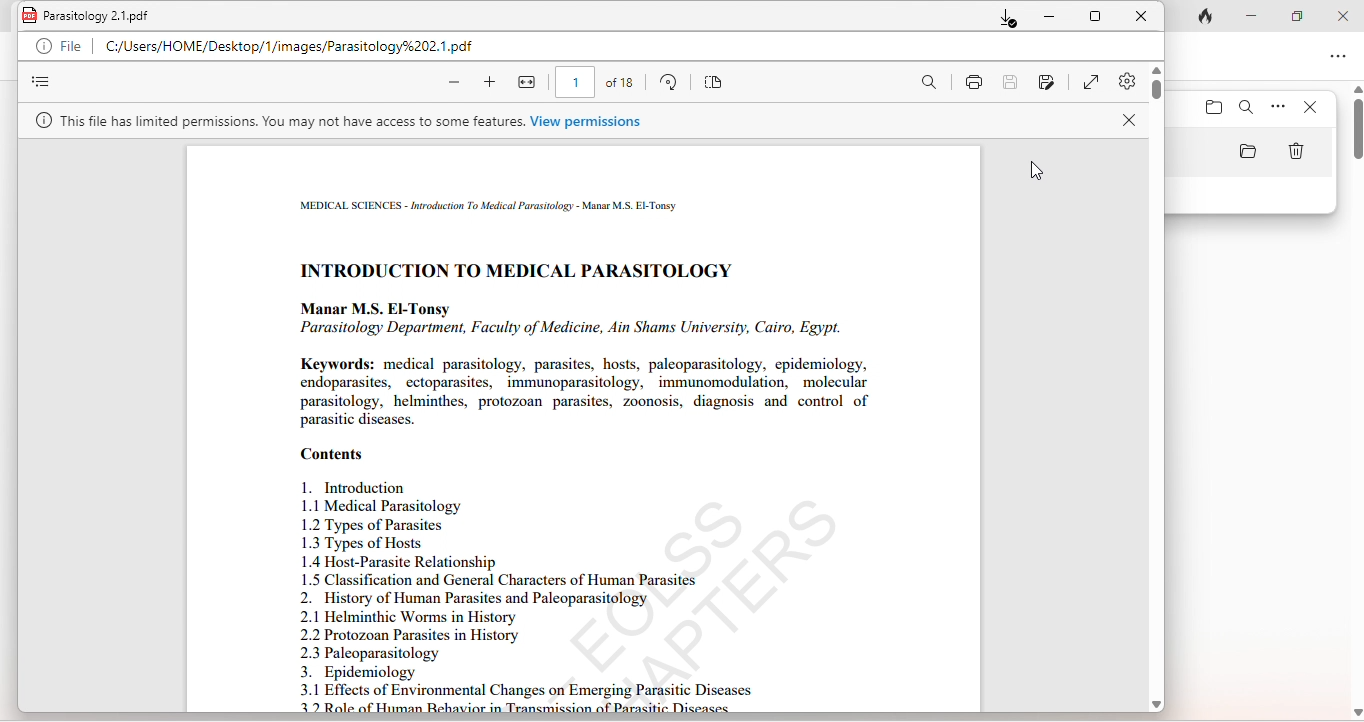  What do you see at coordinates (1049, 84) in the screenshot?
I see `save as` at bounding box center [1049, 84].